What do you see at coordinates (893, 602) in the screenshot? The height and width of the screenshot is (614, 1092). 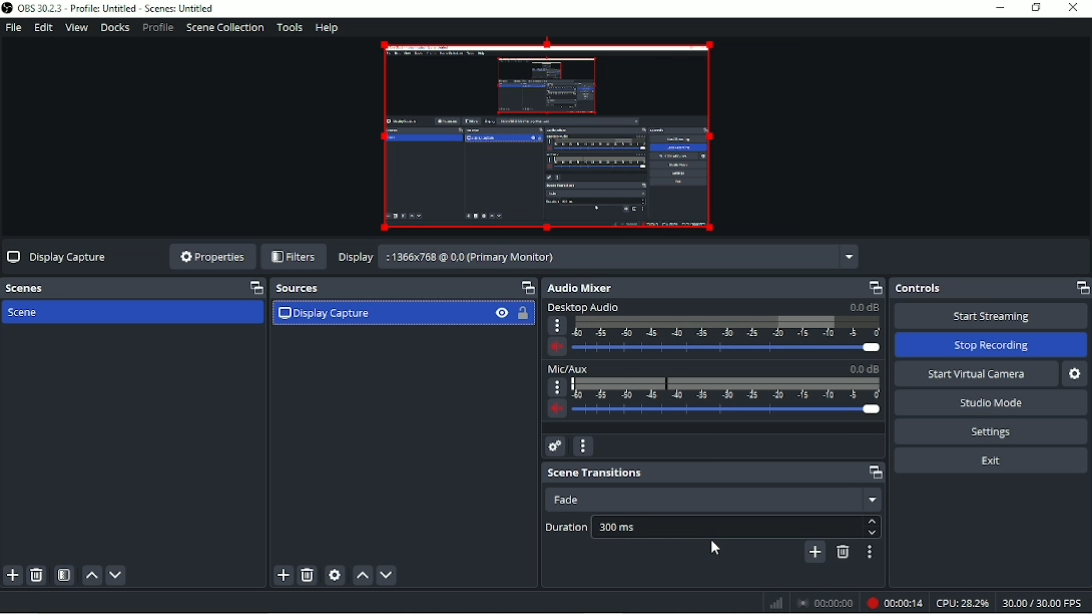 I see `Recording` at bounding box center [893, 602].